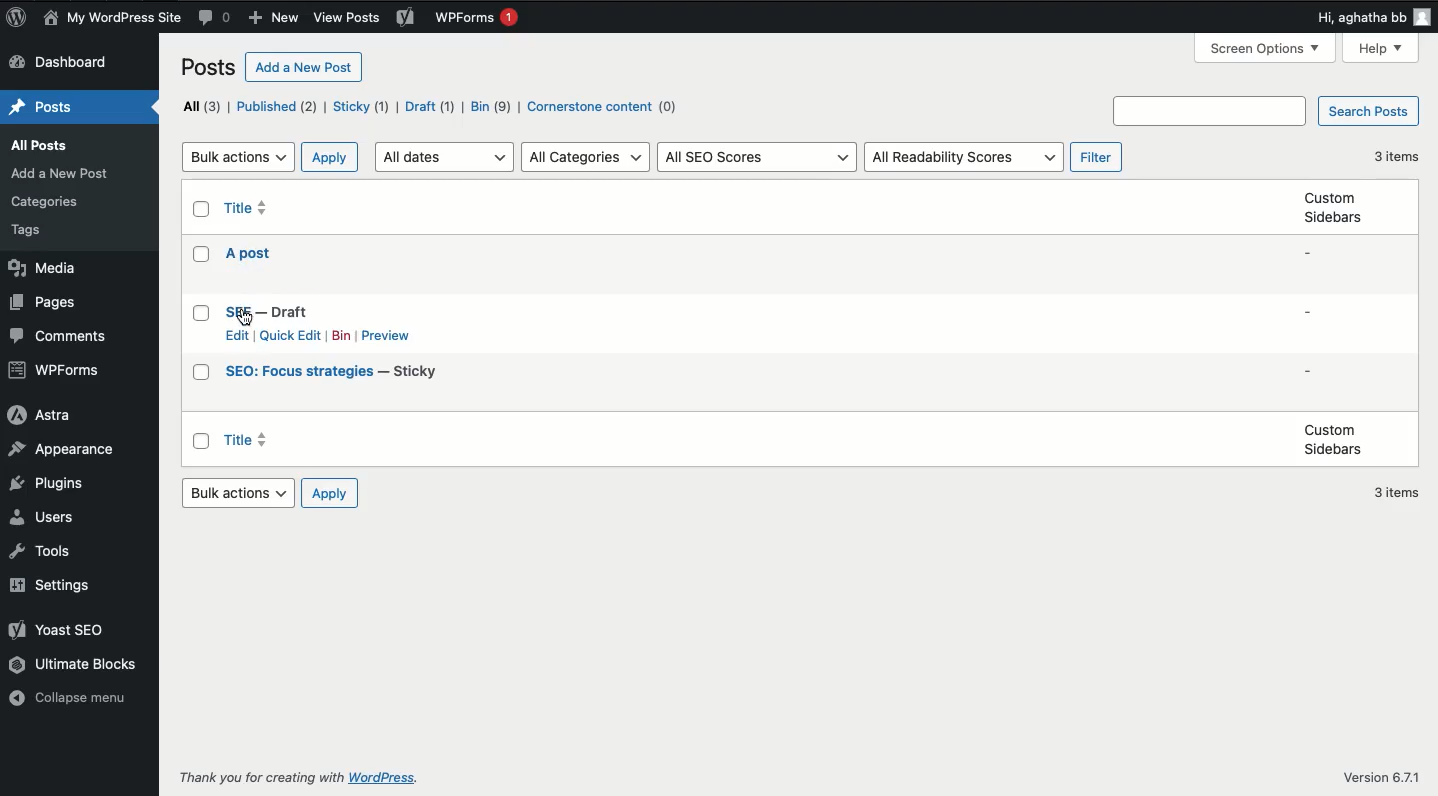  What do you see at coordinates (1212, 113) in the screenshot?
I see `Search` at bounding box center [1212, 113].